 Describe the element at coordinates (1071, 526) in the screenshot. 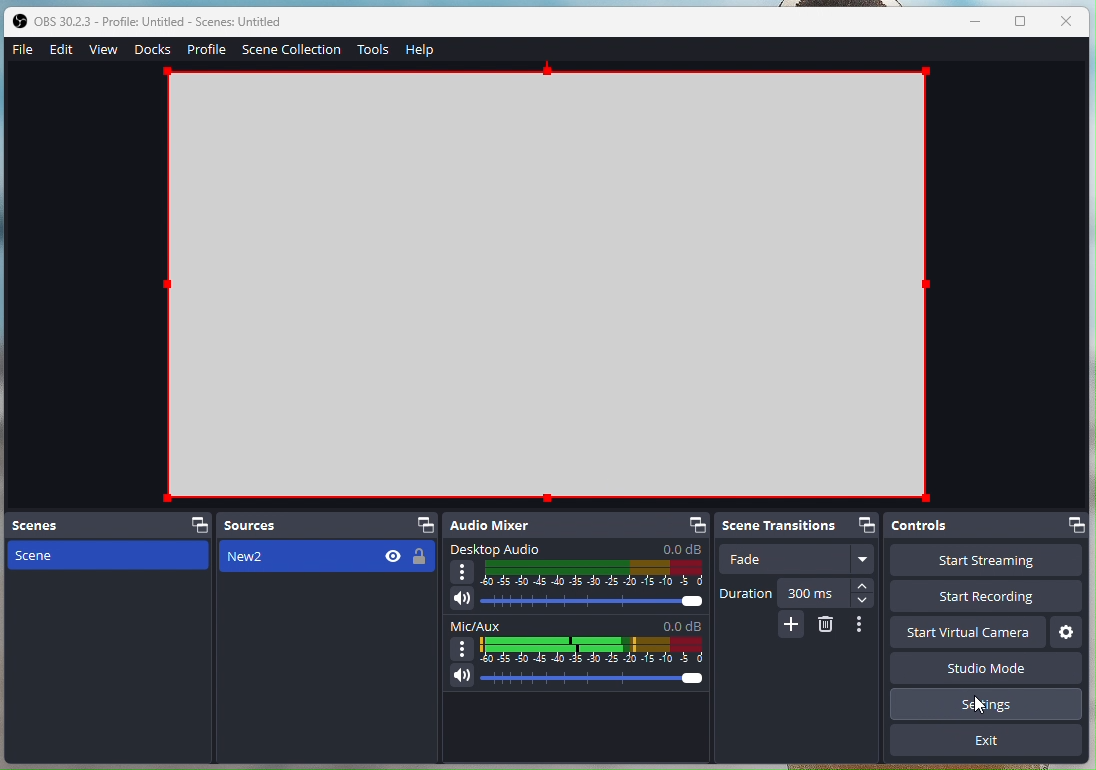

I see `Dock options` at that location.